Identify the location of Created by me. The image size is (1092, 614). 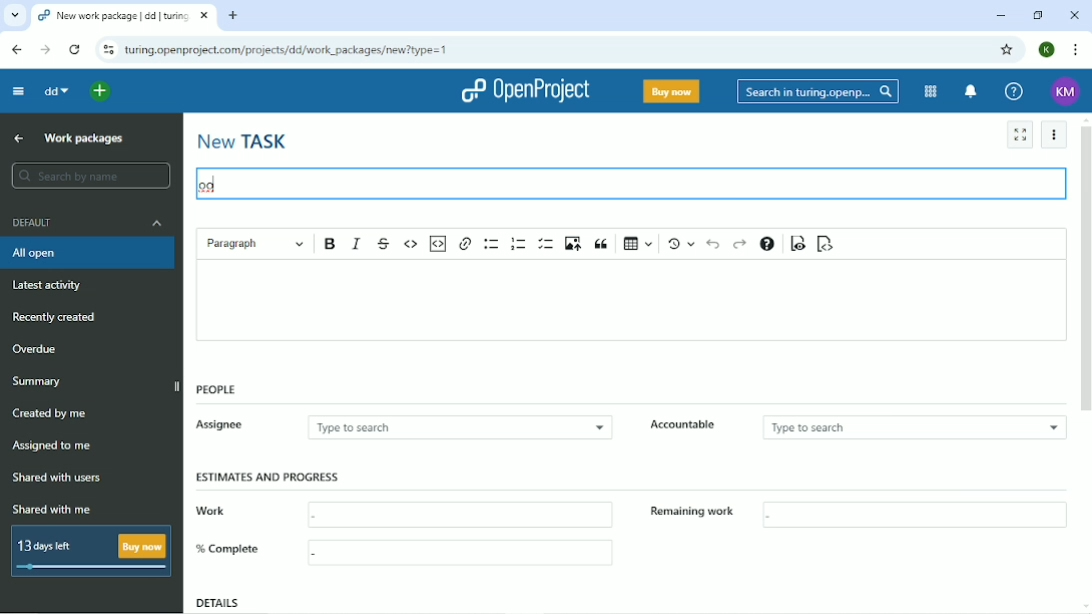
(49, 414).